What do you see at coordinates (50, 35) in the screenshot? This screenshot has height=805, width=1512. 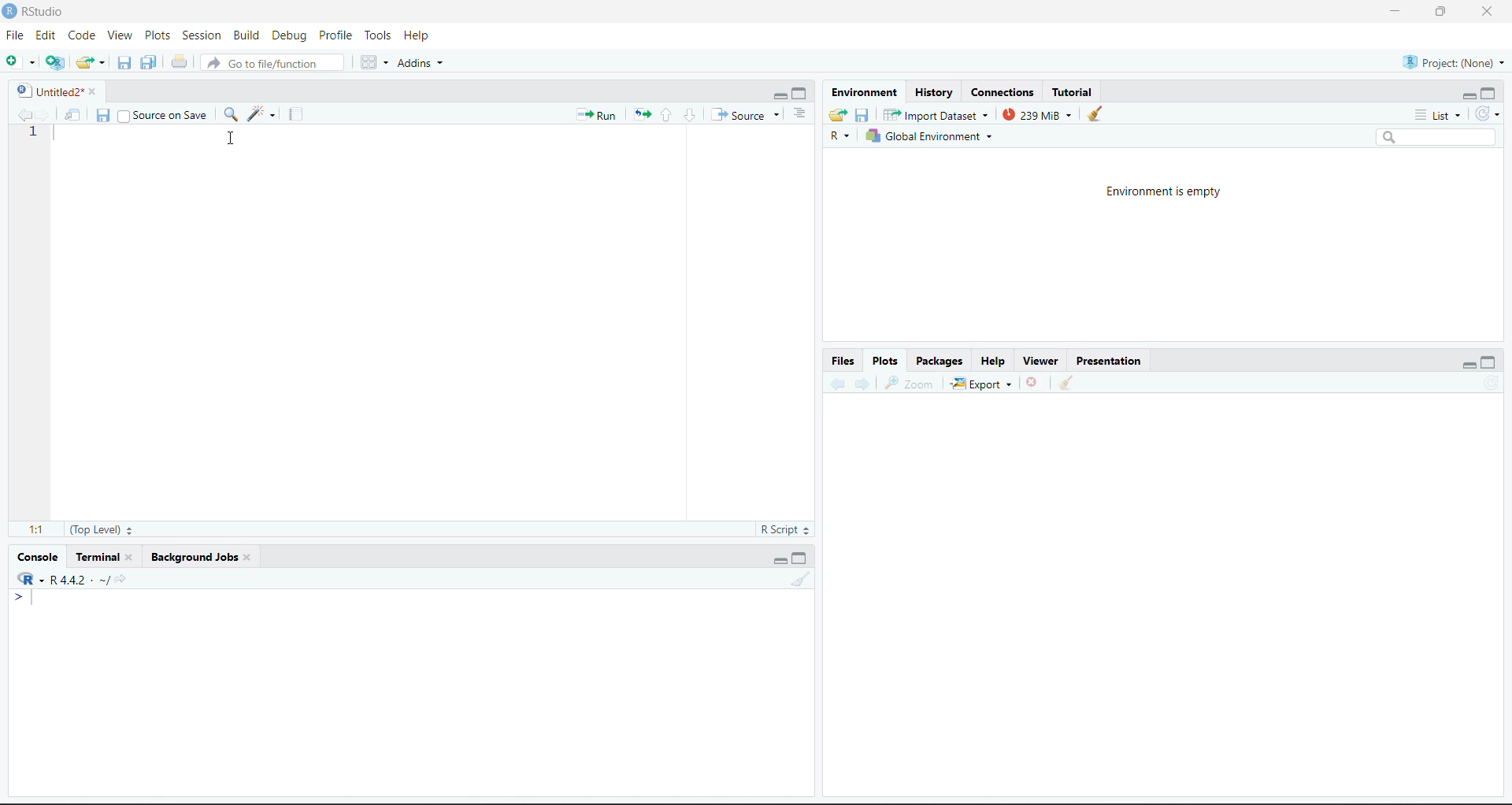 I see `Edit` at bounding box center [50, 35].